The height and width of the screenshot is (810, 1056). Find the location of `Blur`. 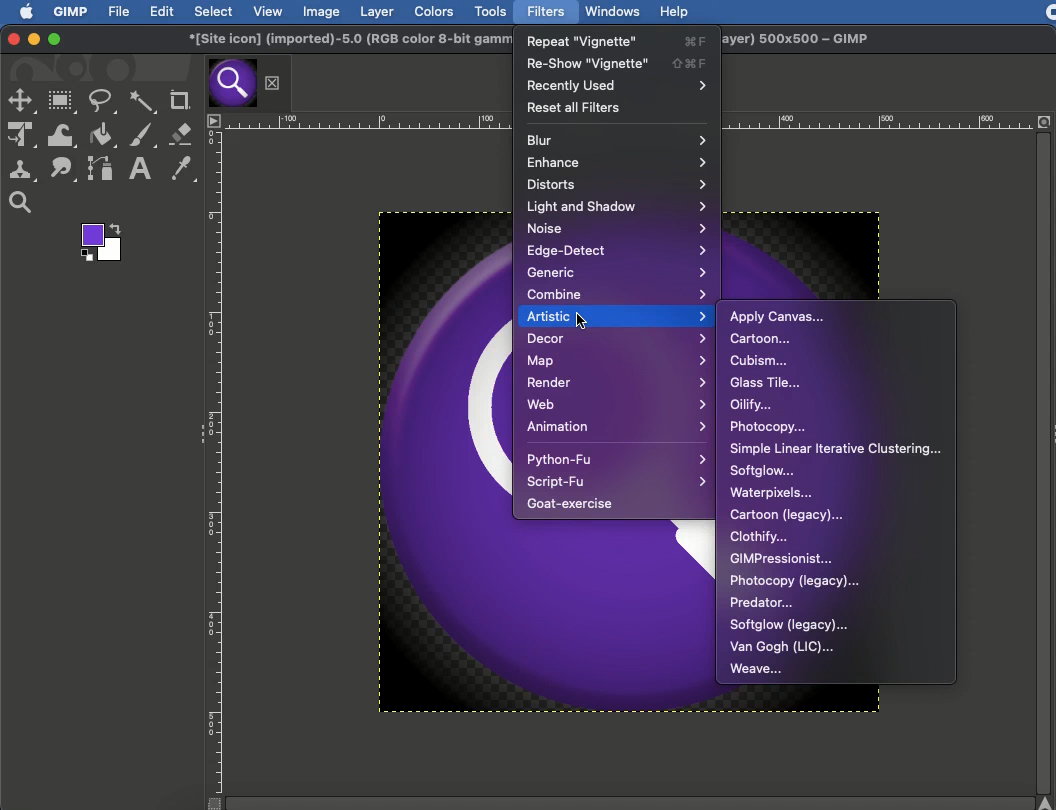

Blur is located at coordinates (617, 139).